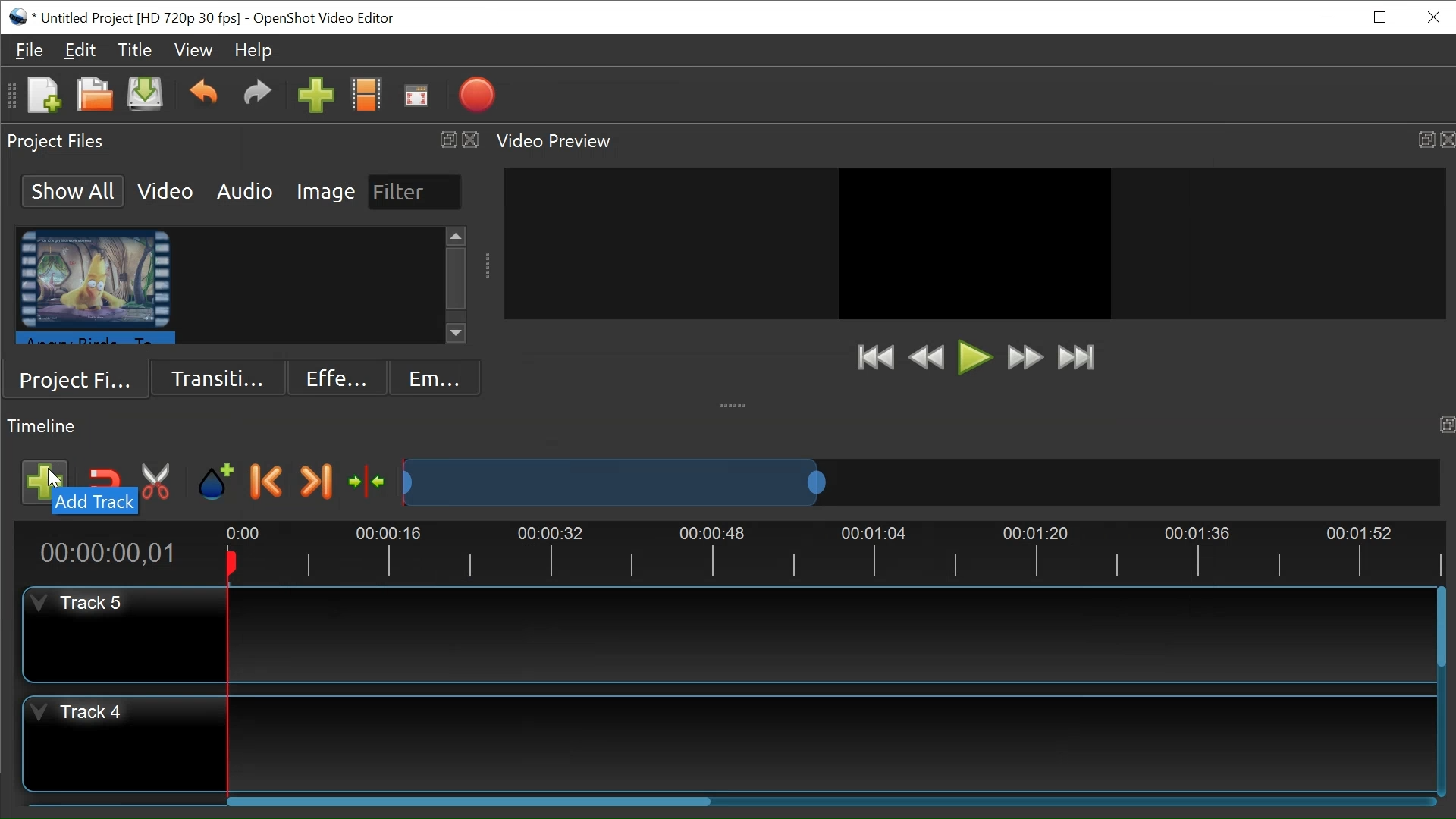 This screenshot has height=819, width=1456. Describe the element at coordinates (125, 17) in the screenshot. I see `File Name` at that location.